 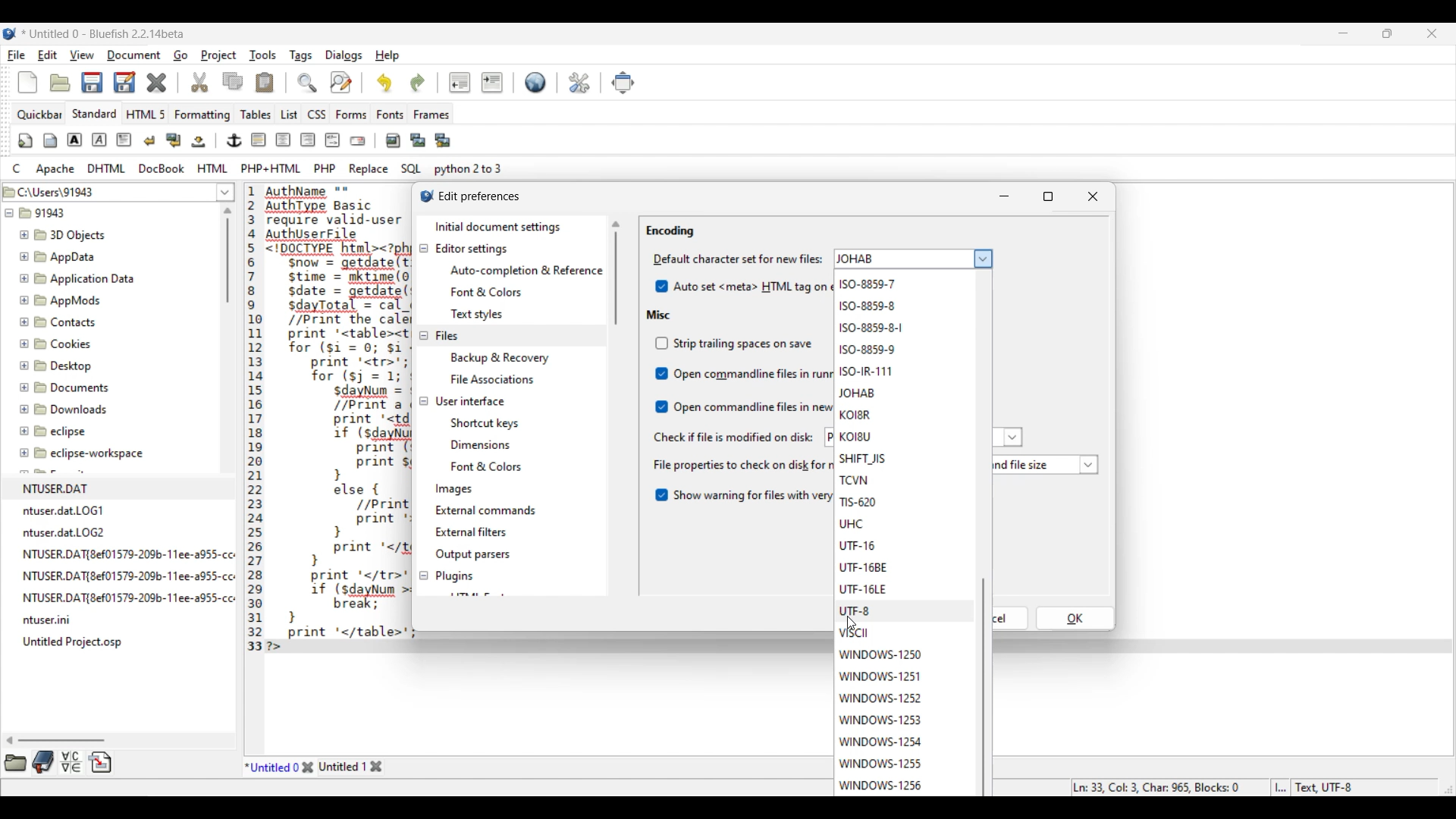 I want to click on Indicates toggle on/off, so click(x=662, y=375).